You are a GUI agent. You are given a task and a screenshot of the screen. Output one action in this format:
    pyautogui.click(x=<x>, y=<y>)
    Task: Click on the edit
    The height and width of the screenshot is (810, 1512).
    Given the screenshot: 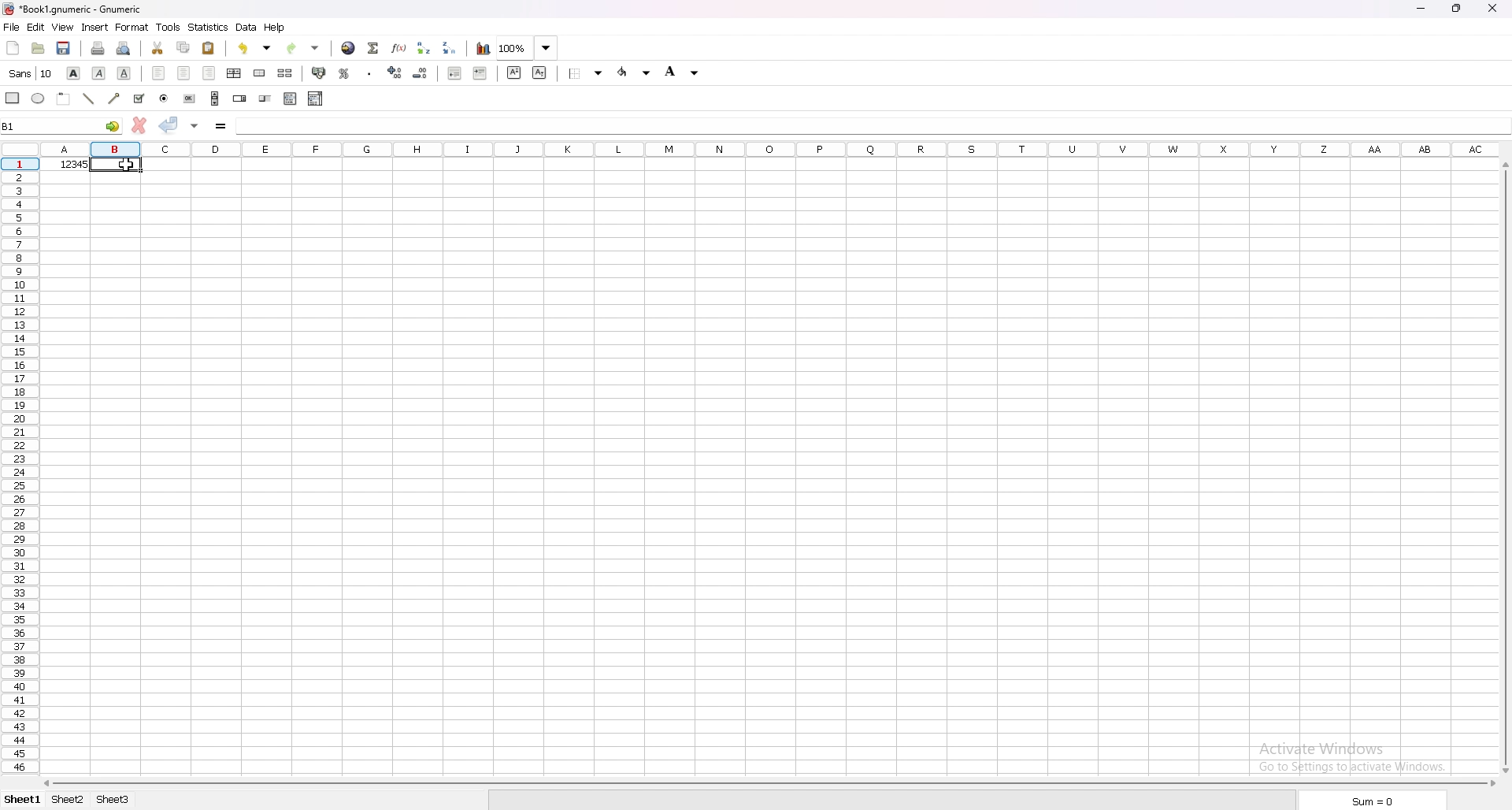 What is the action you would take?
    pyautogui.click(x=35, y=27)
    